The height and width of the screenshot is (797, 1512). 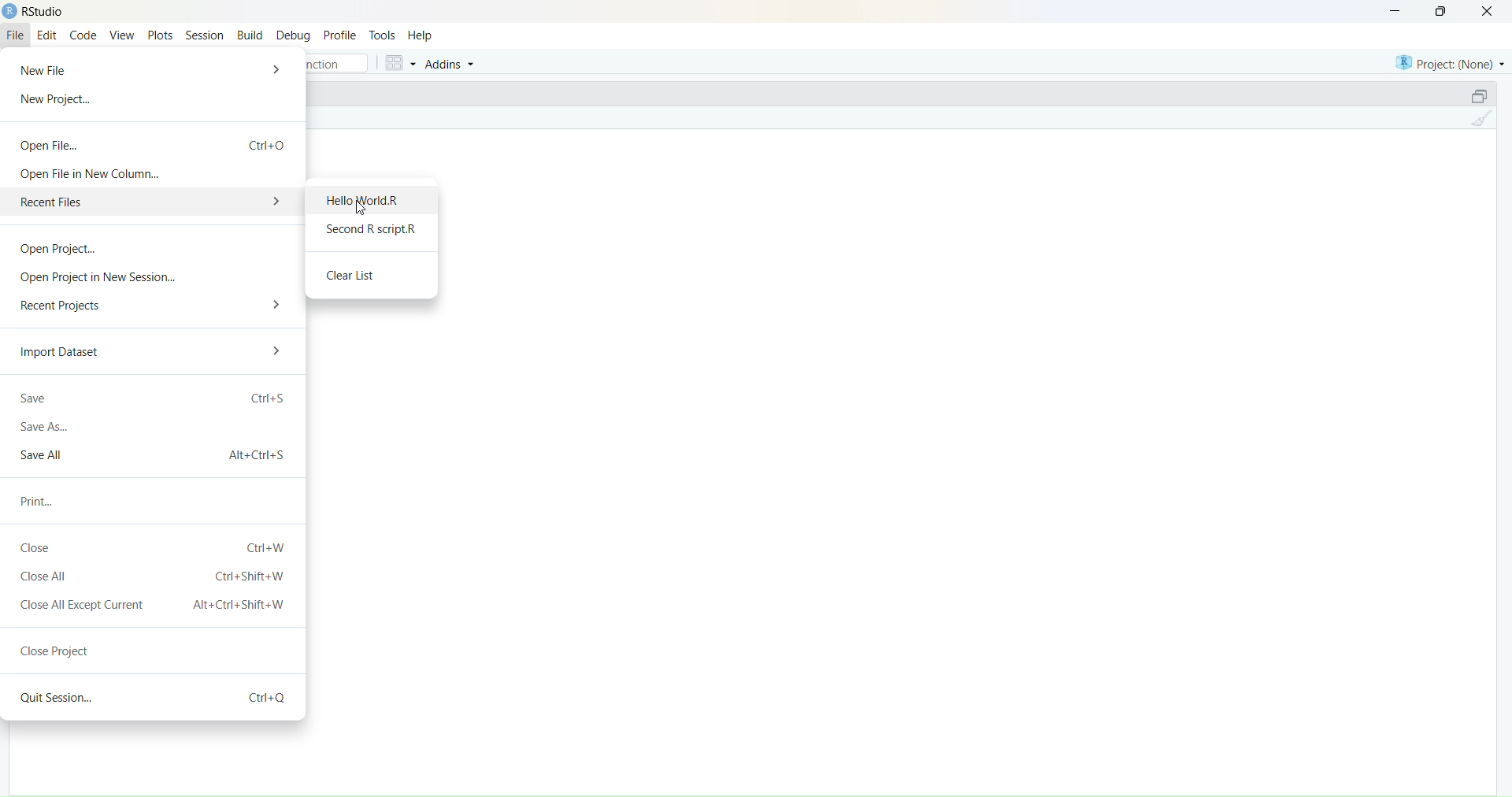 I want to click on Open File in New Column..., so click(x=87, y=173).